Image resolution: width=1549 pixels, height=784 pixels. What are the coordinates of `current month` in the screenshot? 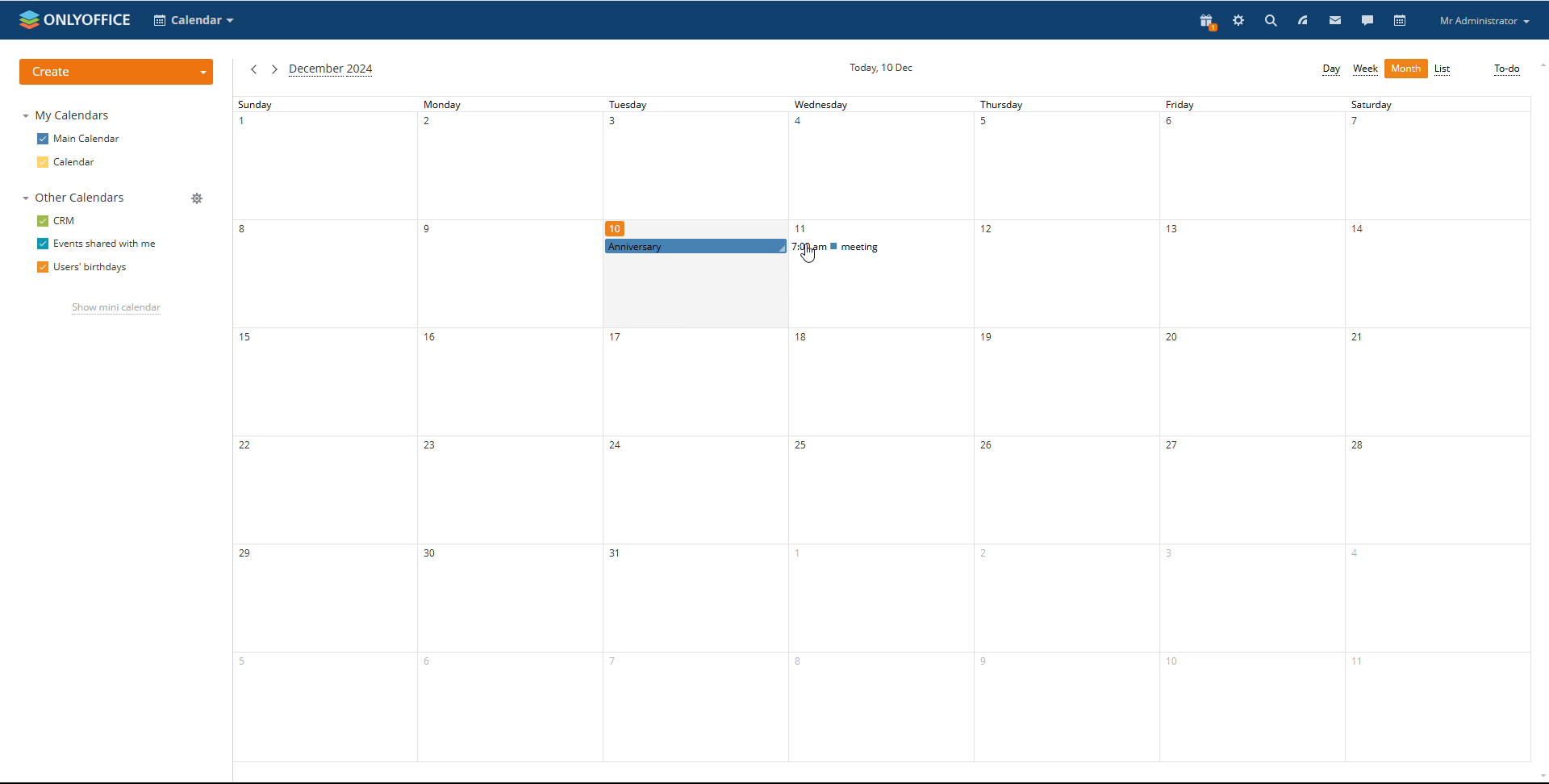 It's located at (332, 70).